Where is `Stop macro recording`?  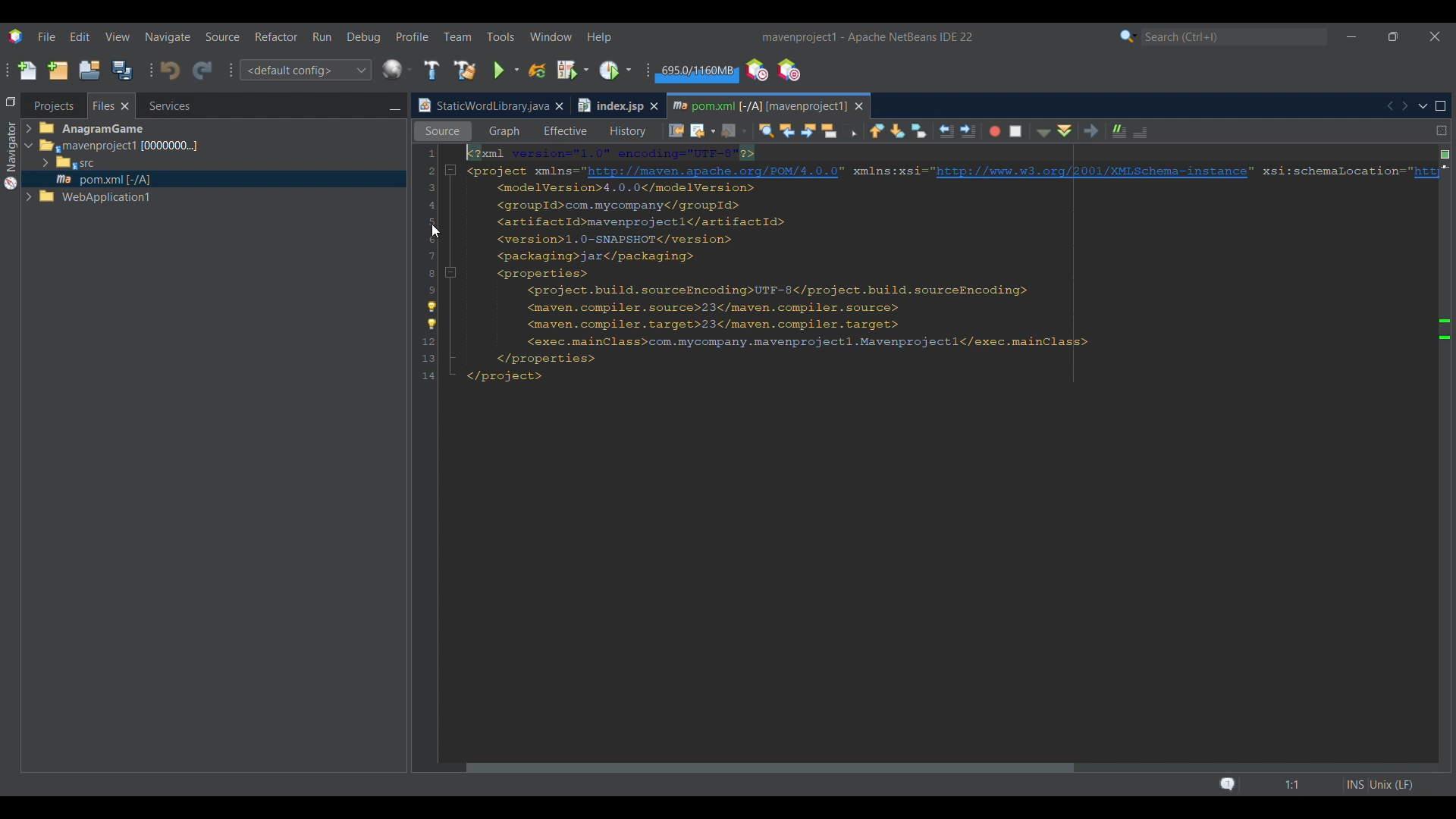 Stop macro recording is located at coordinates (1019, 130).